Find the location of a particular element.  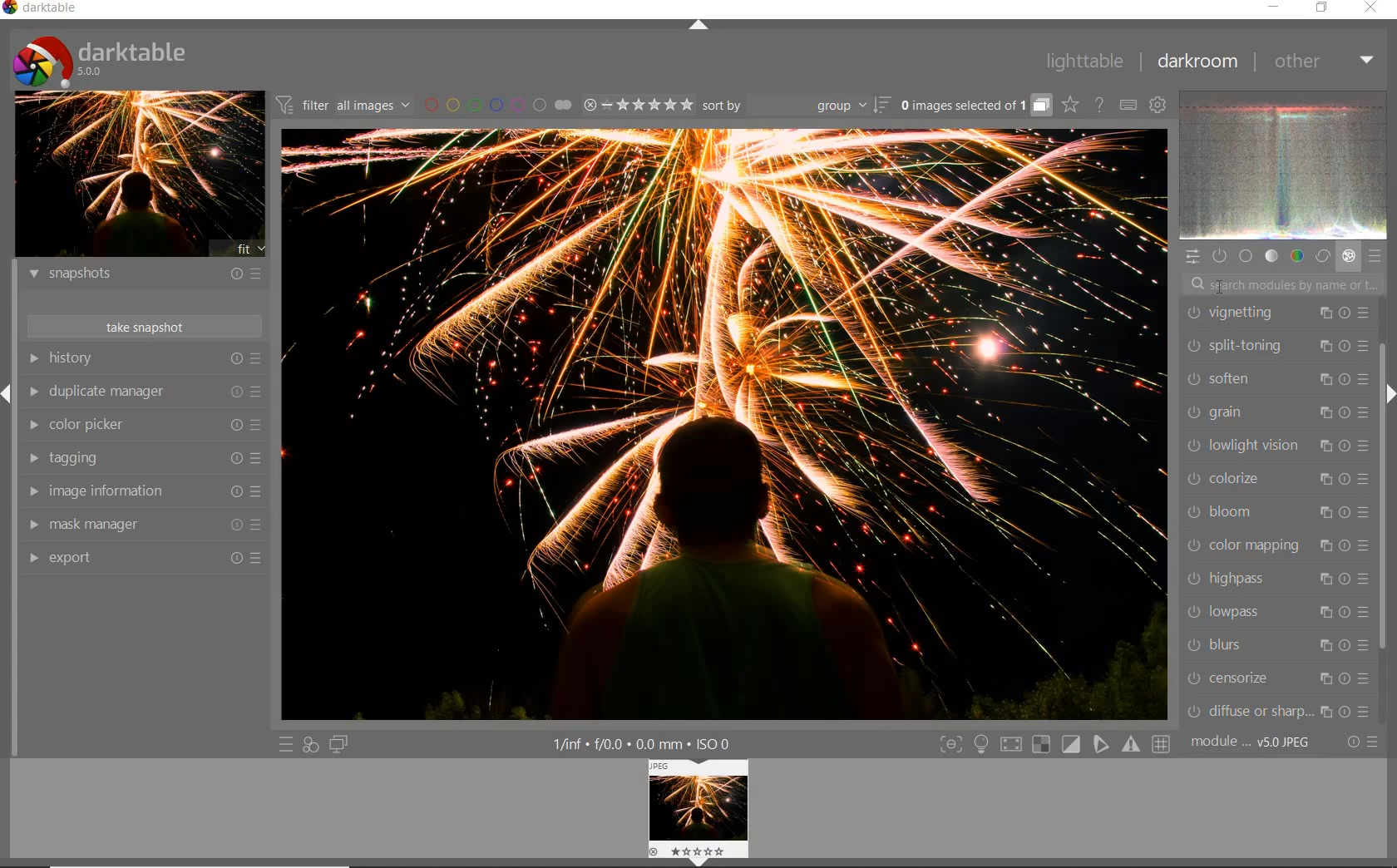

mask manager is located at coordinates (142, 525).